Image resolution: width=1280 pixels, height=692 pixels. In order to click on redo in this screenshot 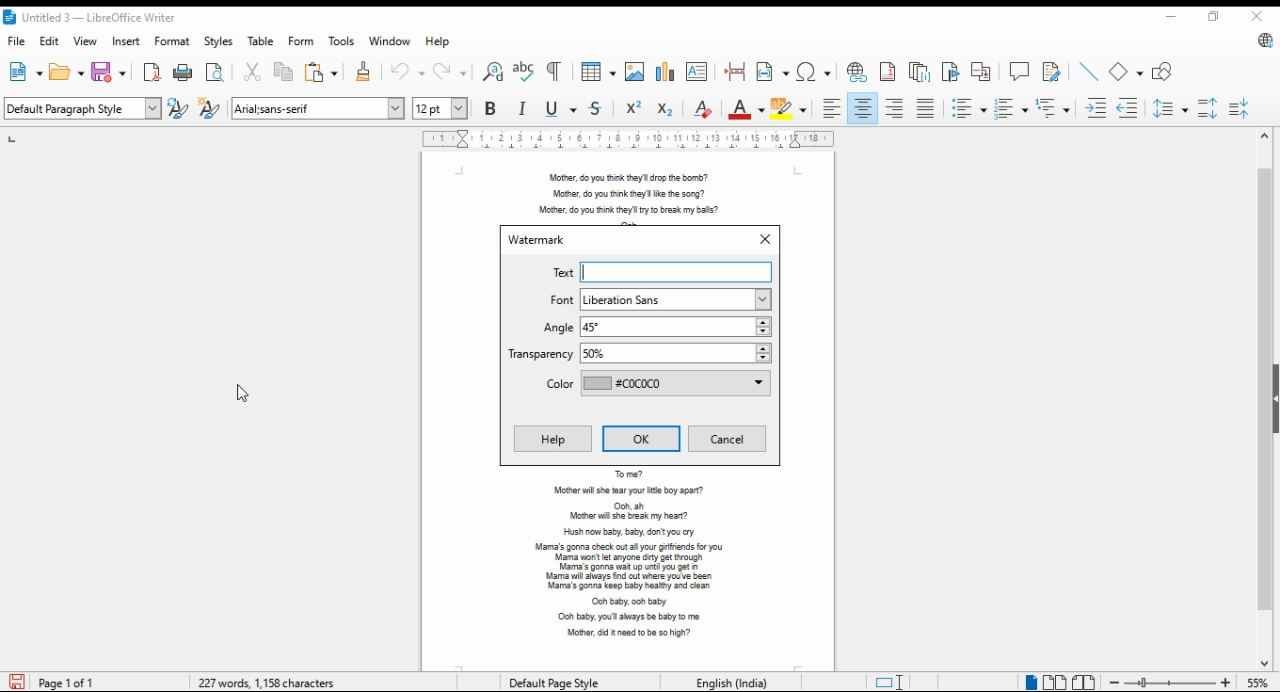, I will do `click(449, 71)`.